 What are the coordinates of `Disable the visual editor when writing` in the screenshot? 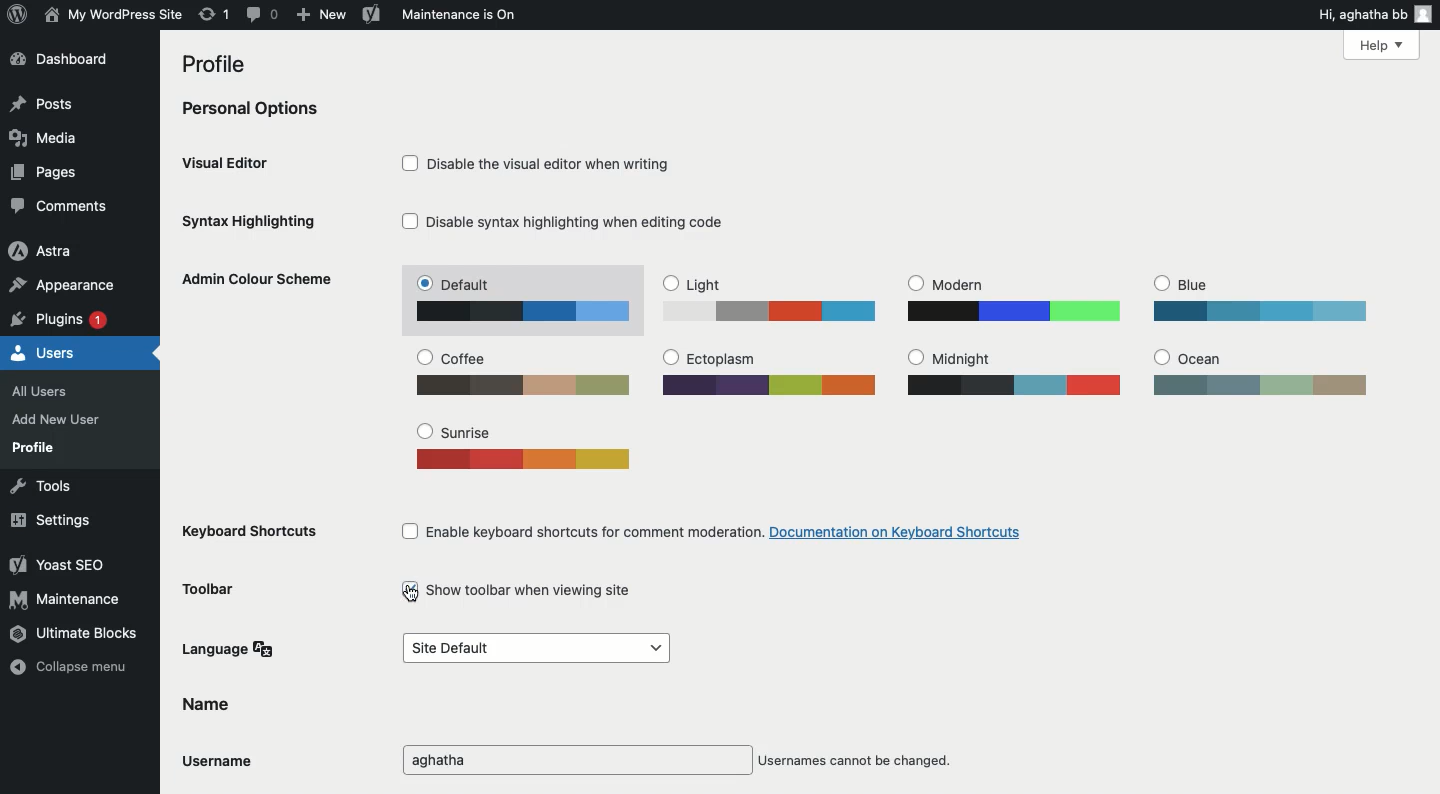 It's located at (540, 163).